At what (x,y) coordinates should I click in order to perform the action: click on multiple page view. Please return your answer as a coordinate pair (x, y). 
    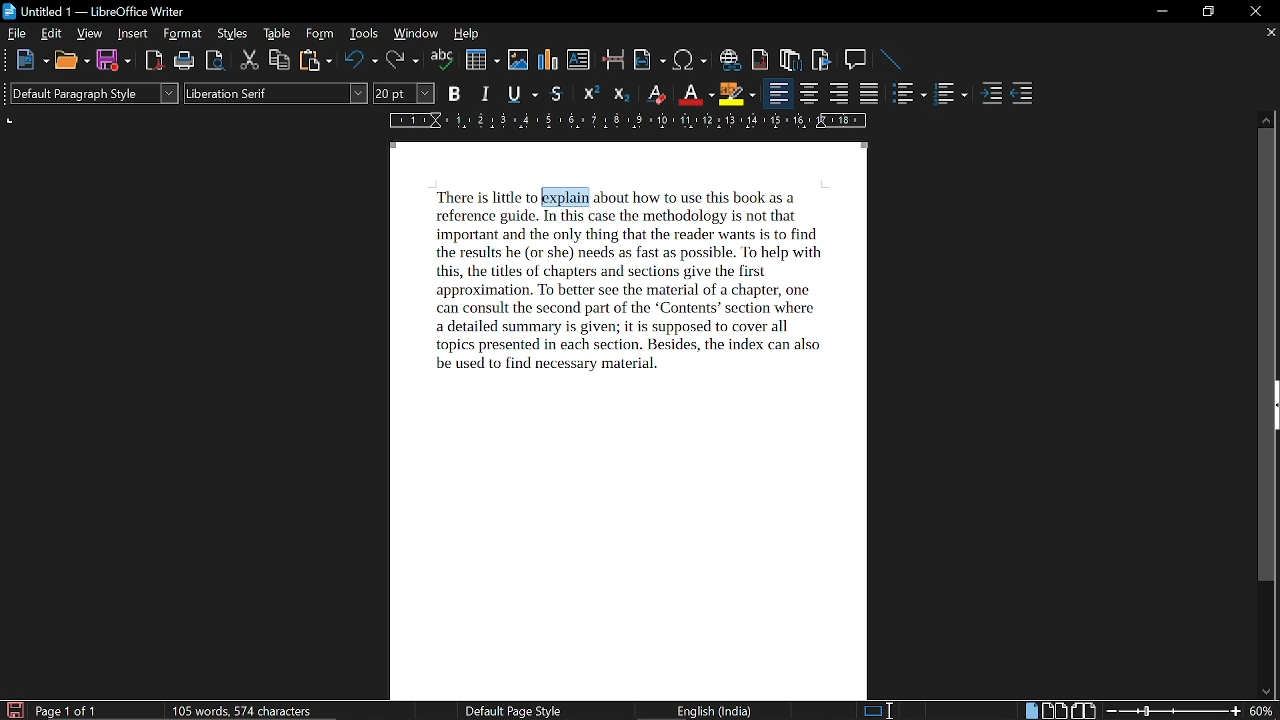
    Looking at the image, I should click on (1054, 711).